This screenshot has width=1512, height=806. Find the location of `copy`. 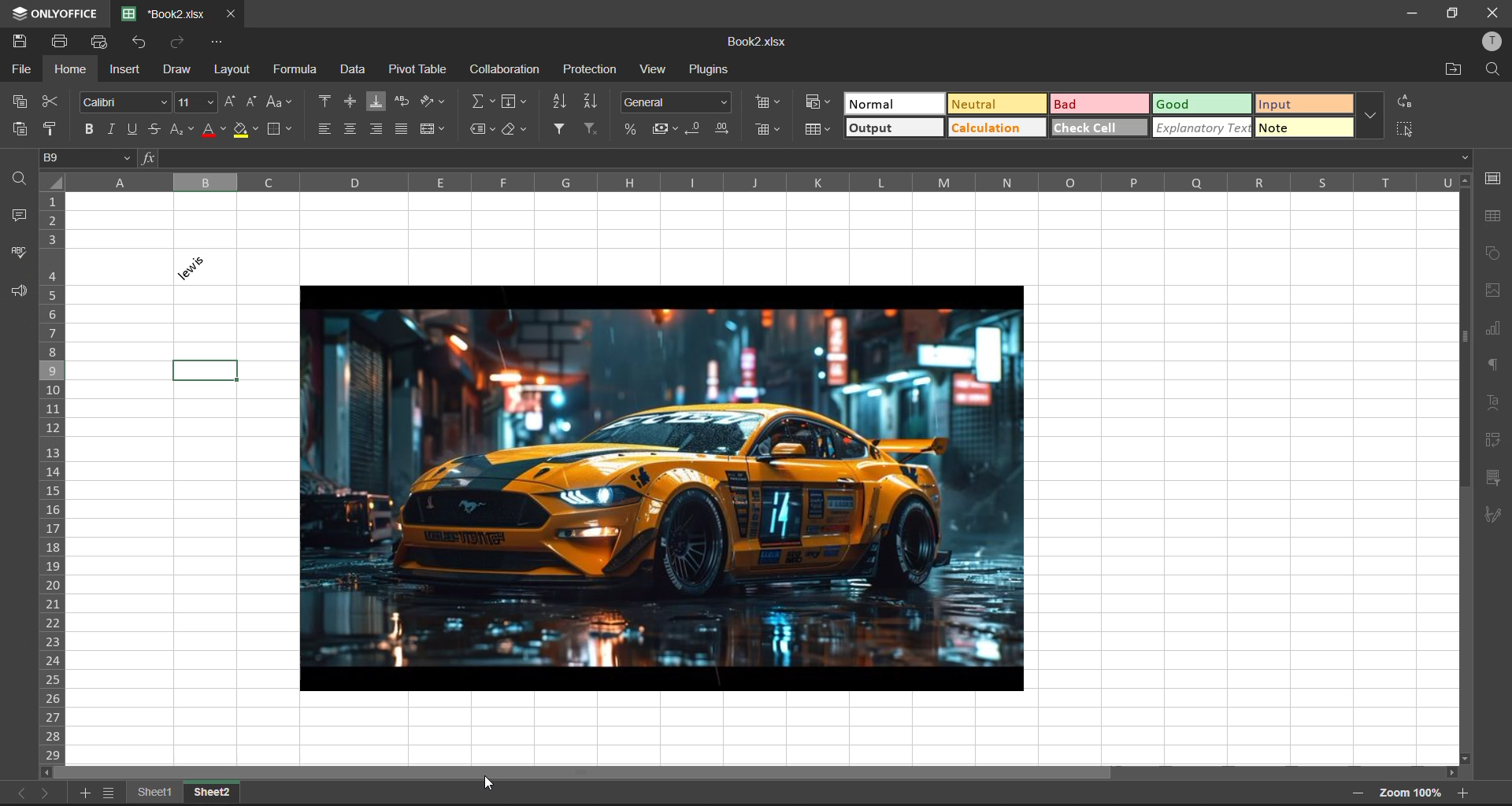

copy is located at coordinates (18, 102).